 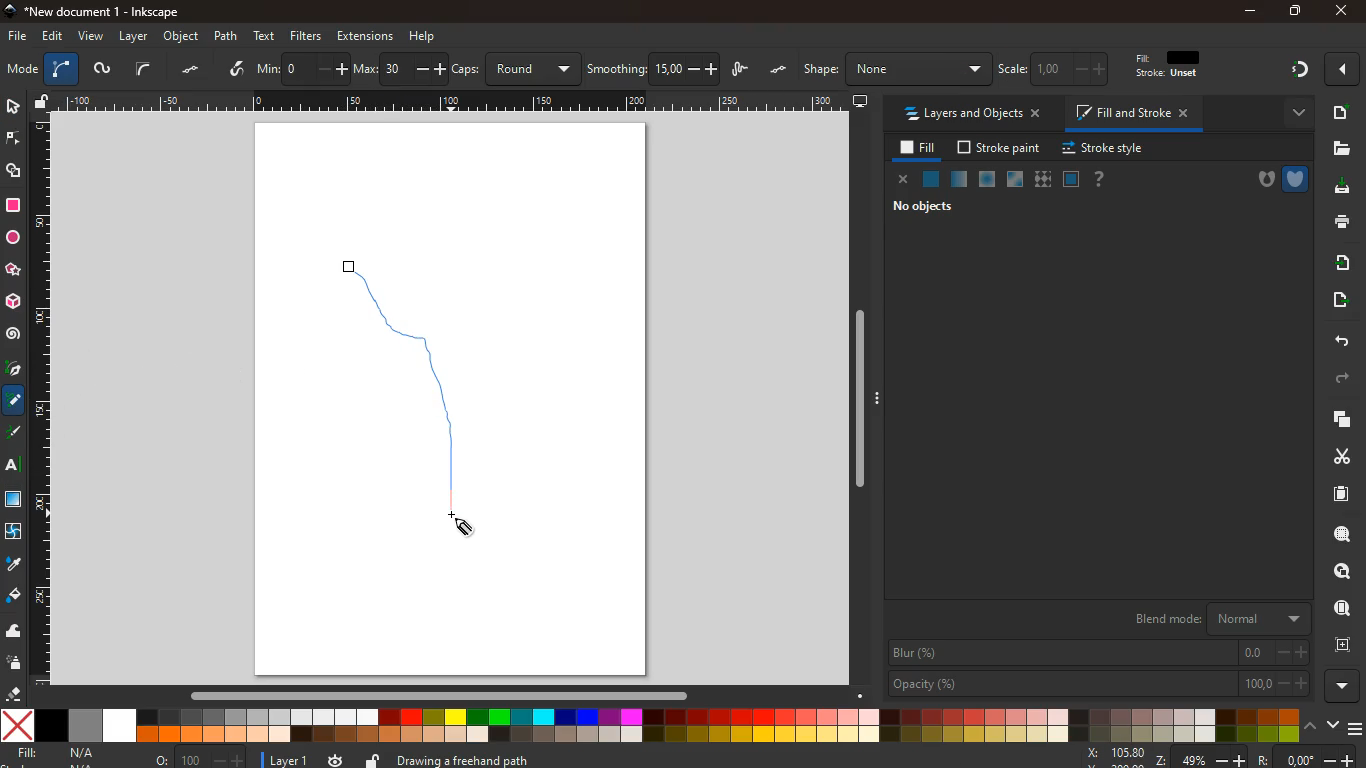 I want to click on pick, so click(x=13, y=370).